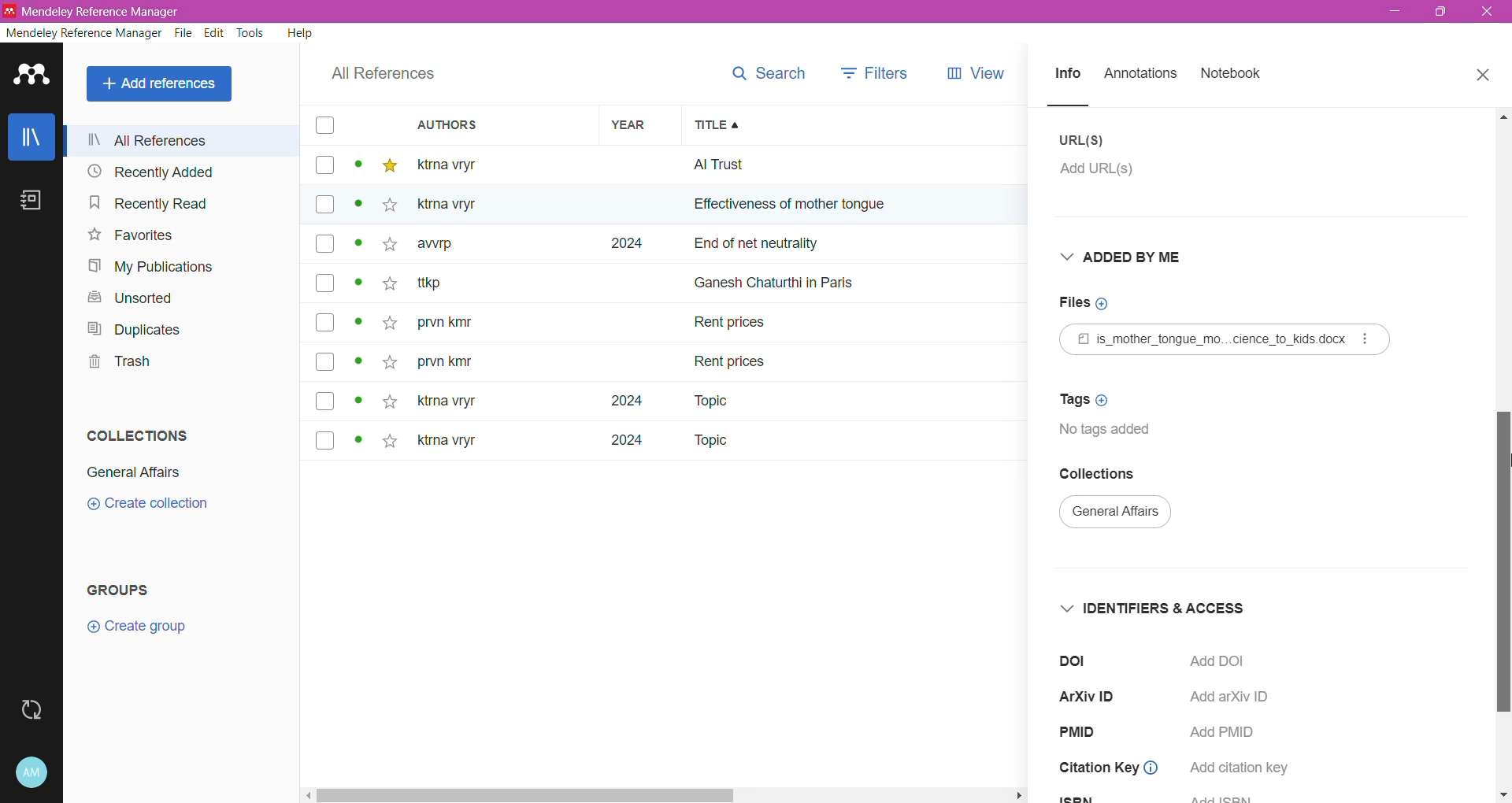 This screenshot has height=803, width=1512. Describe the element at coordinates (1150, 608) in the screenshot. I see `Identifiers and Access` at that location.